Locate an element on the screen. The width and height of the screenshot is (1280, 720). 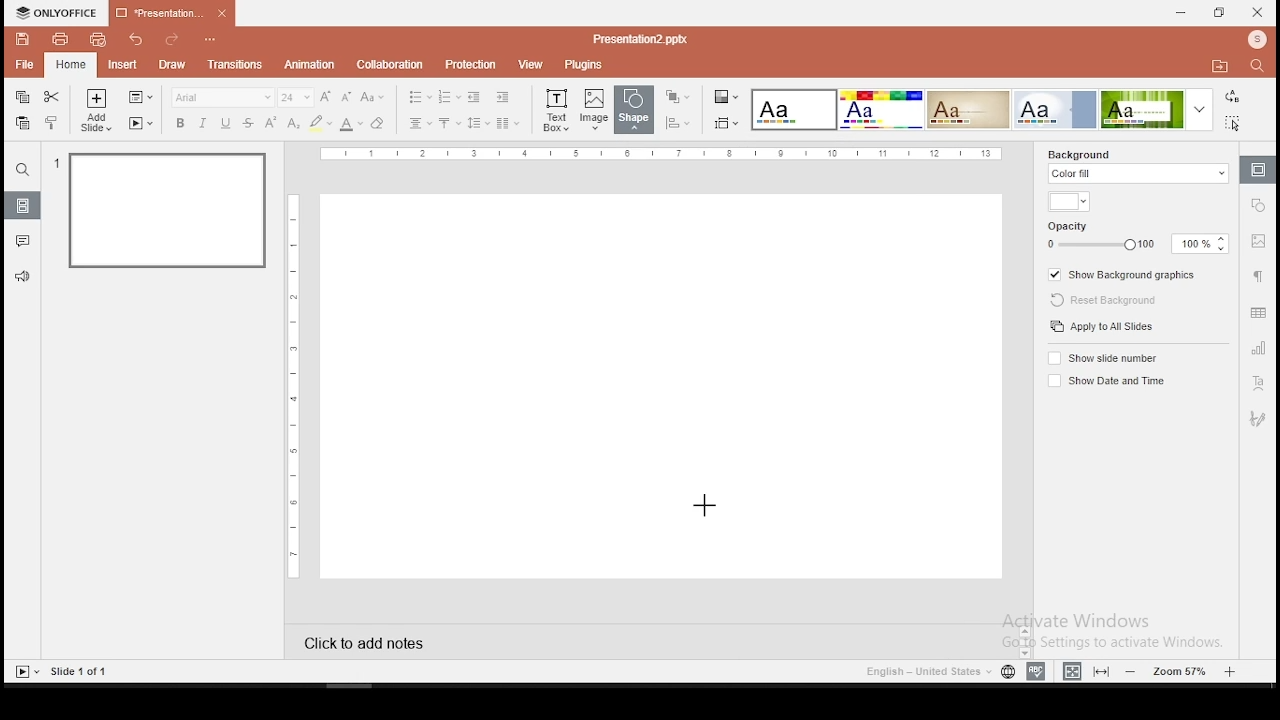
table settings is located at coordinates (1258, 312).